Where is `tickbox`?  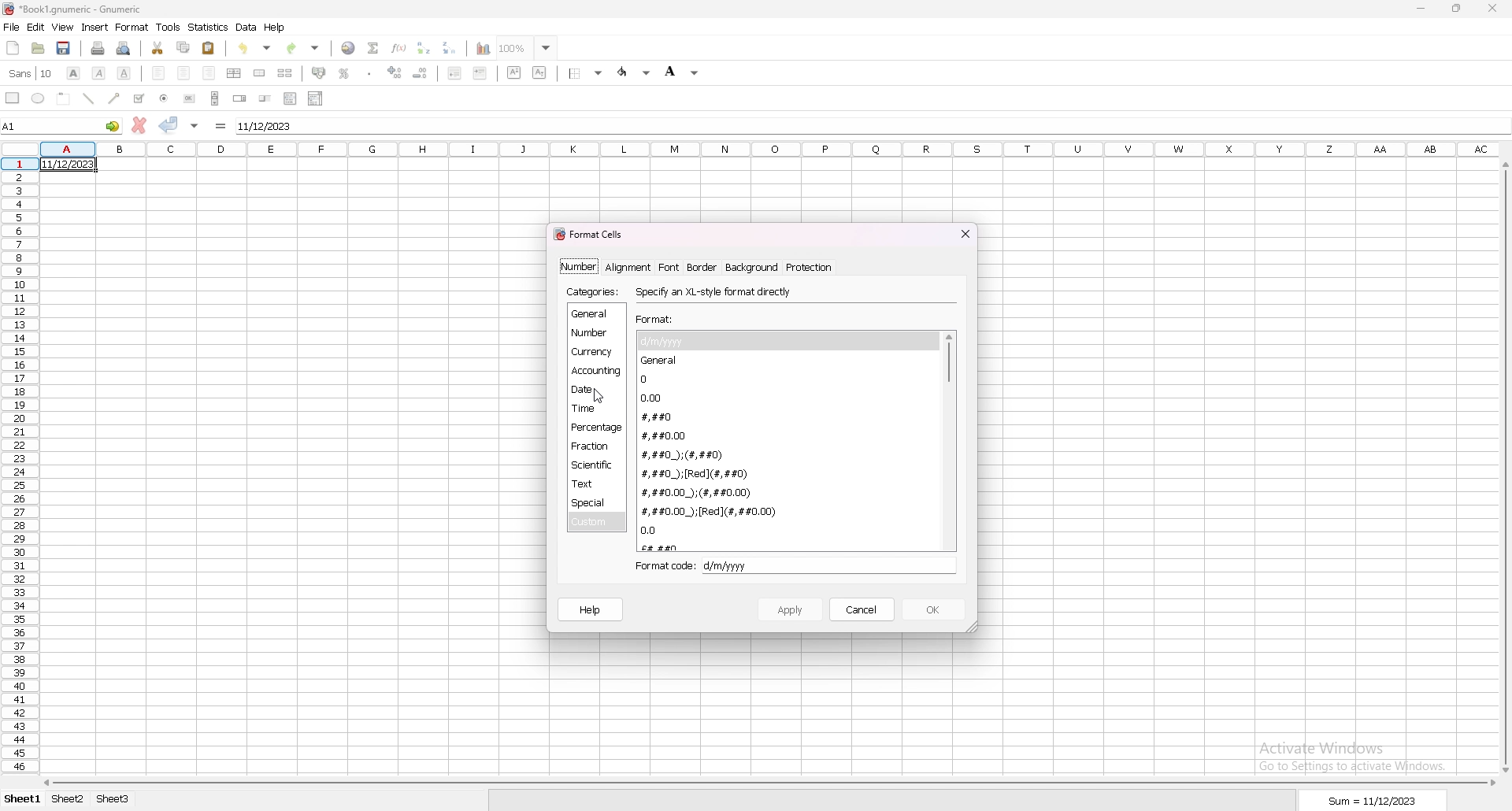
tickbox is located at coordinates (140, 98).